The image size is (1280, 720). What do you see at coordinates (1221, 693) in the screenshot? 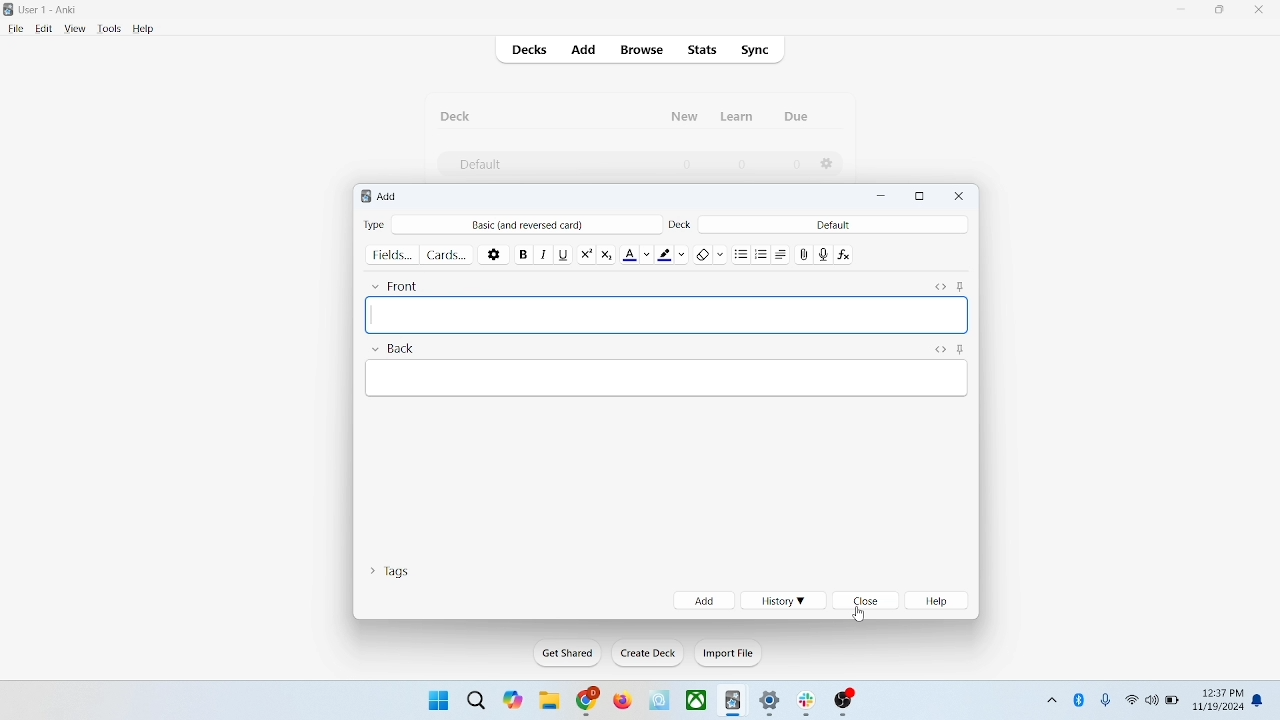
I see `12:37 PM` at bounding box center [1221, 693].